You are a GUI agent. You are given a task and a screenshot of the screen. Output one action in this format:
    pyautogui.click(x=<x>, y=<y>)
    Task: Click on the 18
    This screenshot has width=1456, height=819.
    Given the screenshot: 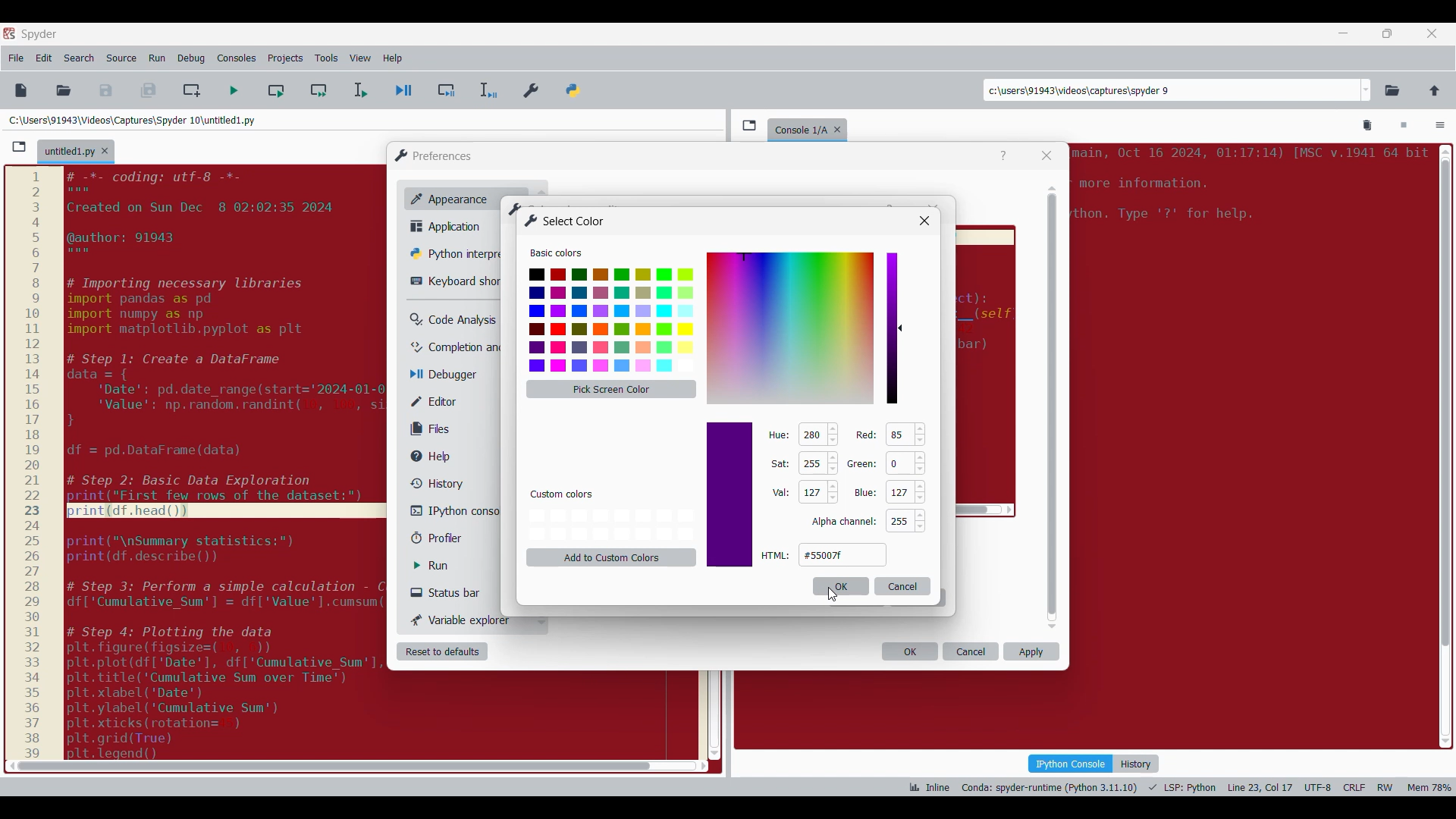 What is the action you would take?
    pyautogui.click(x=900, y=463)
    